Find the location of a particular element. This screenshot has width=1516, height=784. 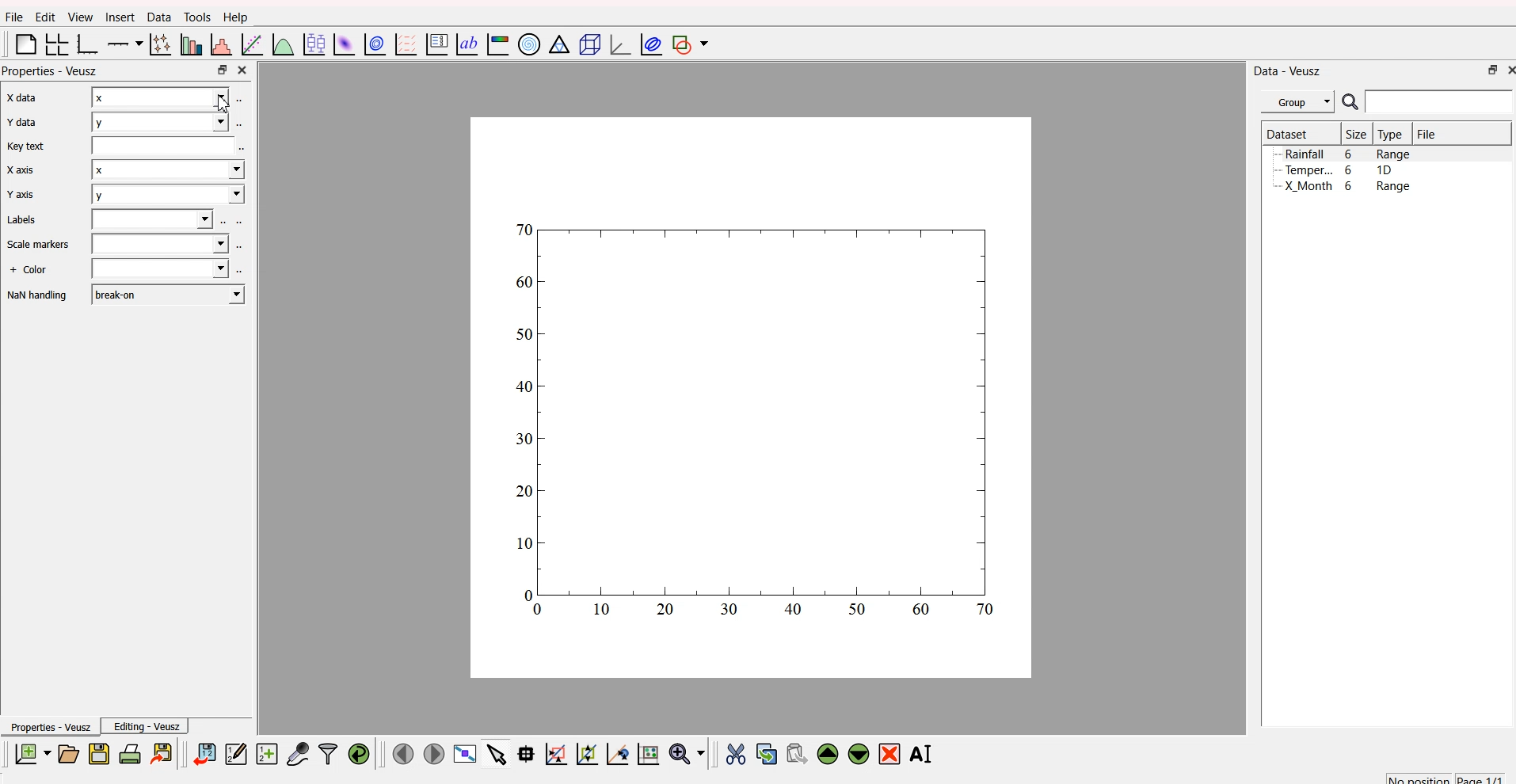

field is located at coordinates (154, 220).